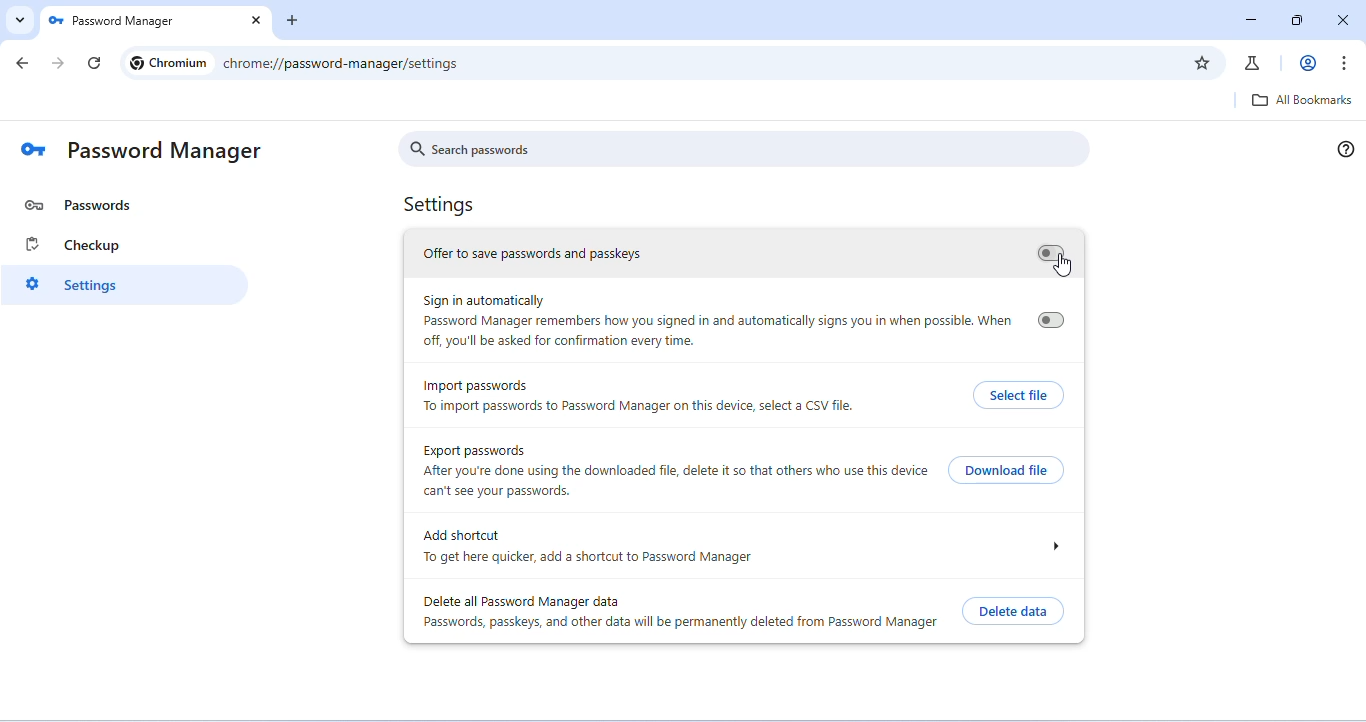 The image size is (1366, 722). I want to click on search tabs, so click(20, 21).